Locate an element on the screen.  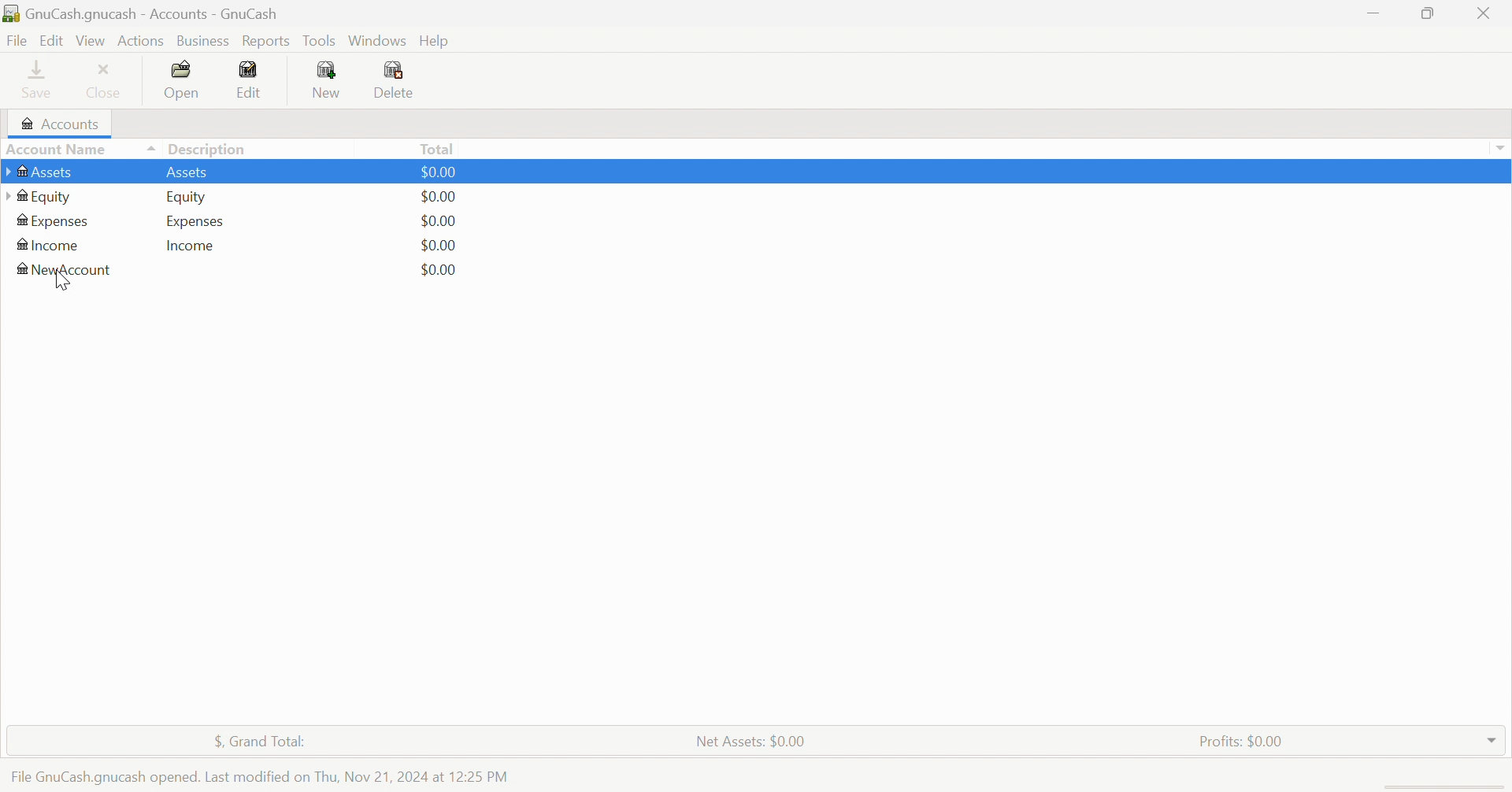
Drop Down is located at coordinates (1494, 741).